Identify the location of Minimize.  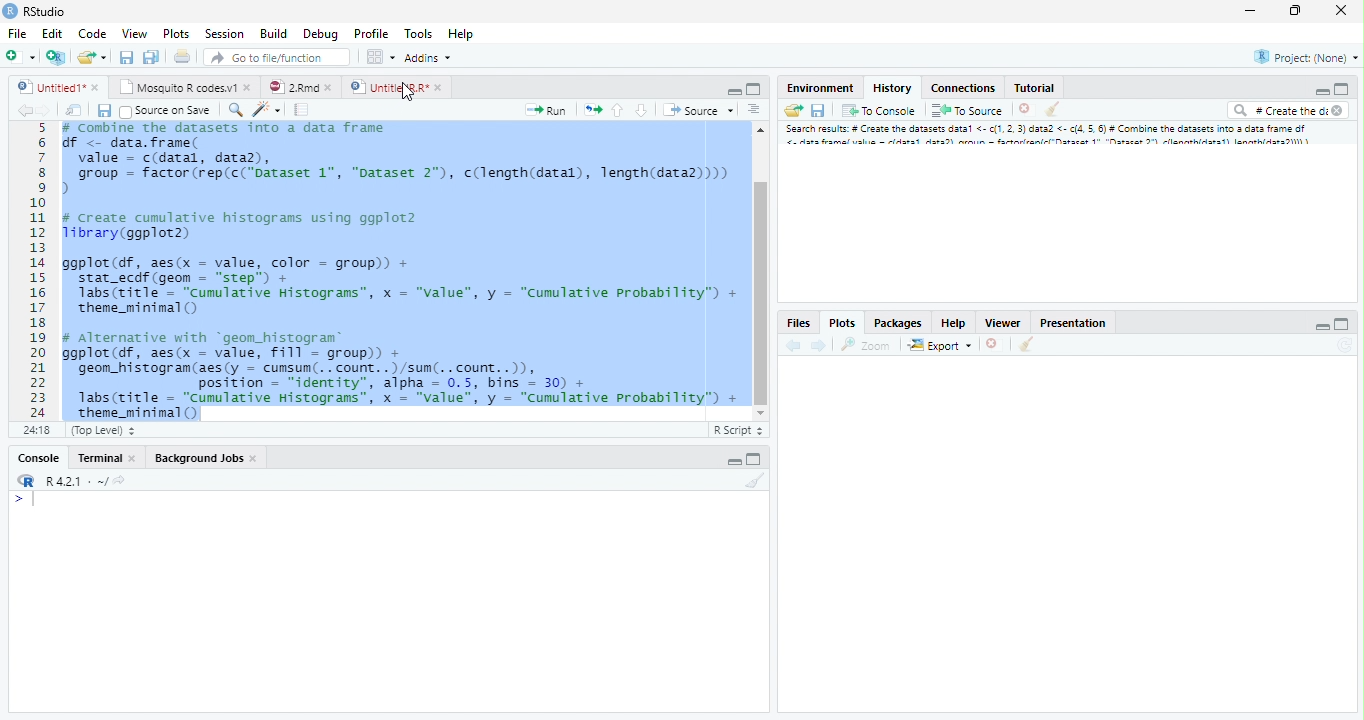
(733, 461).